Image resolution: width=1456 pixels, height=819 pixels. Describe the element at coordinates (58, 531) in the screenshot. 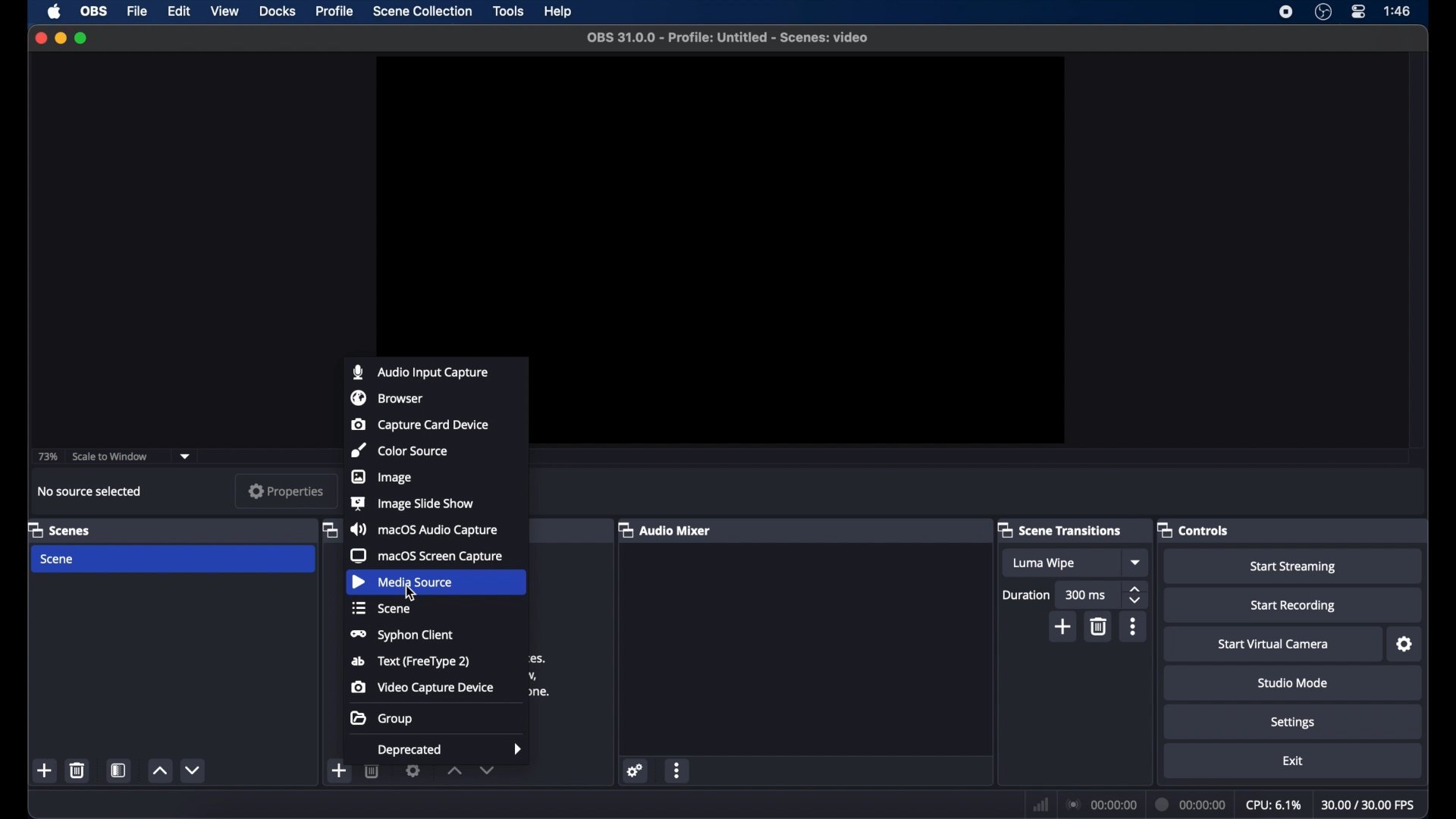

I see `scenes` at that location.